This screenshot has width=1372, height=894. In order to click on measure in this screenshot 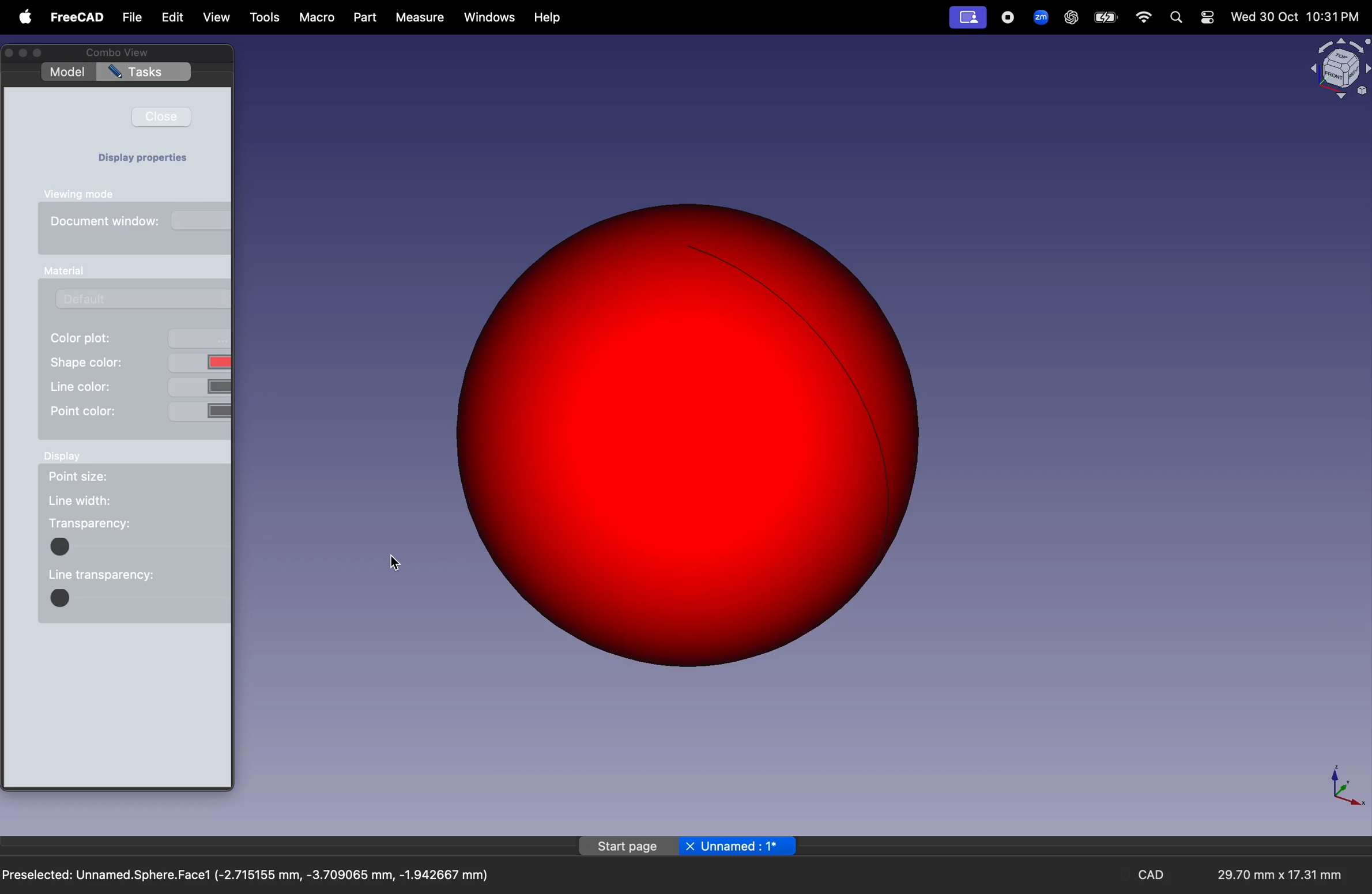, I will do `click(418, 17)`.